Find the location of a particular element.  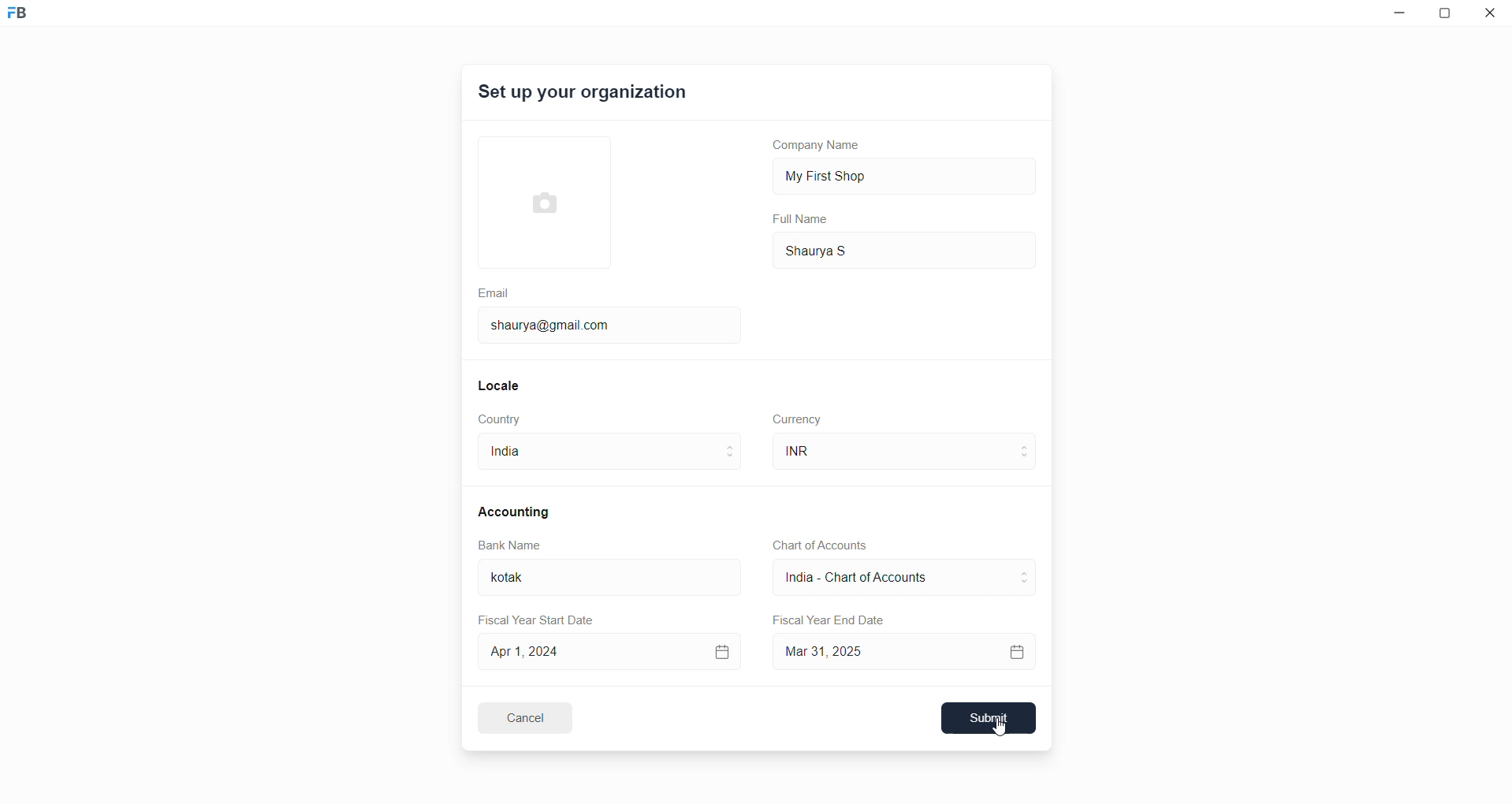

move to below currency is located at coordinates (1028, 460).